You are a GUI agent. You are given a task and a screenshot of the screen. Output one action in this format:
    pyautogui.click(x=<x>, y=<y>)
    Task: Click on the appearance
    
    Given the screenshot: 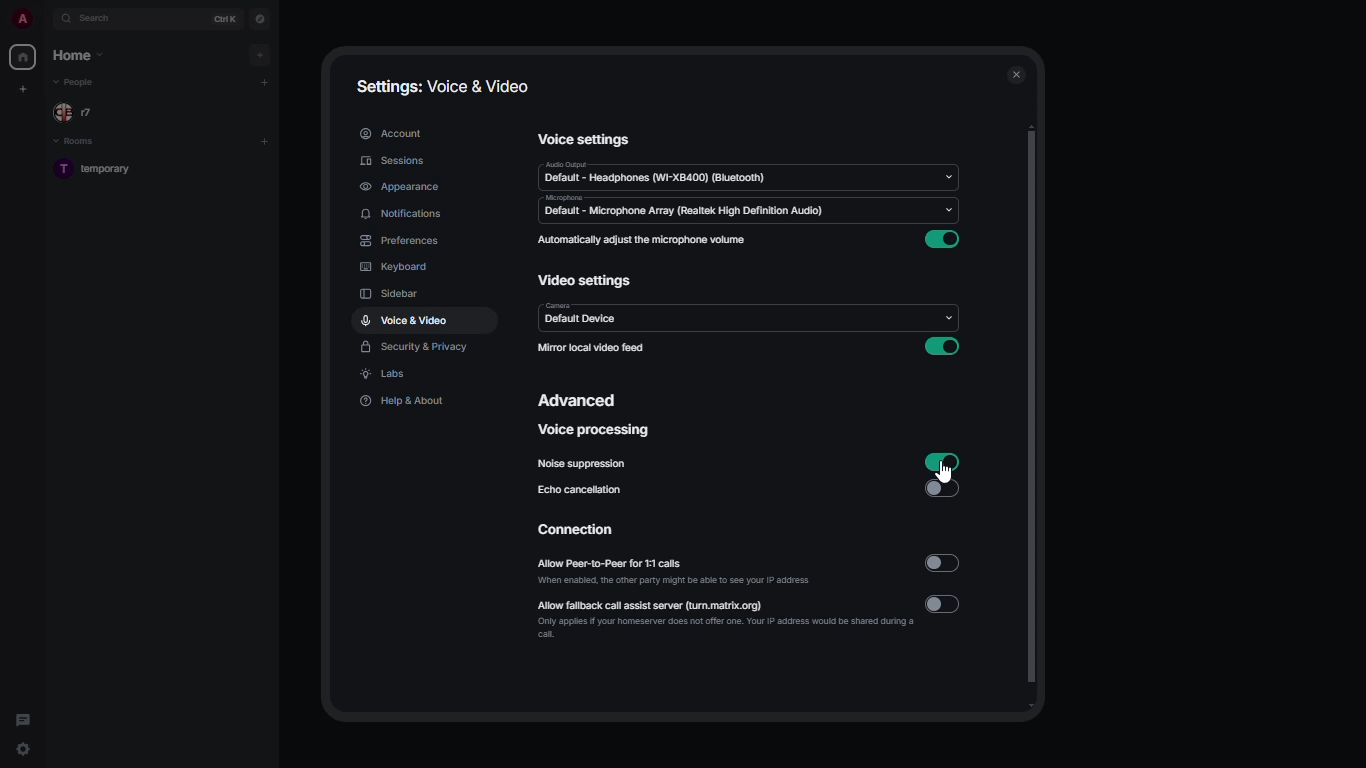 What is the action you would take?
    pyautogui.click(x=398, y=188)
    